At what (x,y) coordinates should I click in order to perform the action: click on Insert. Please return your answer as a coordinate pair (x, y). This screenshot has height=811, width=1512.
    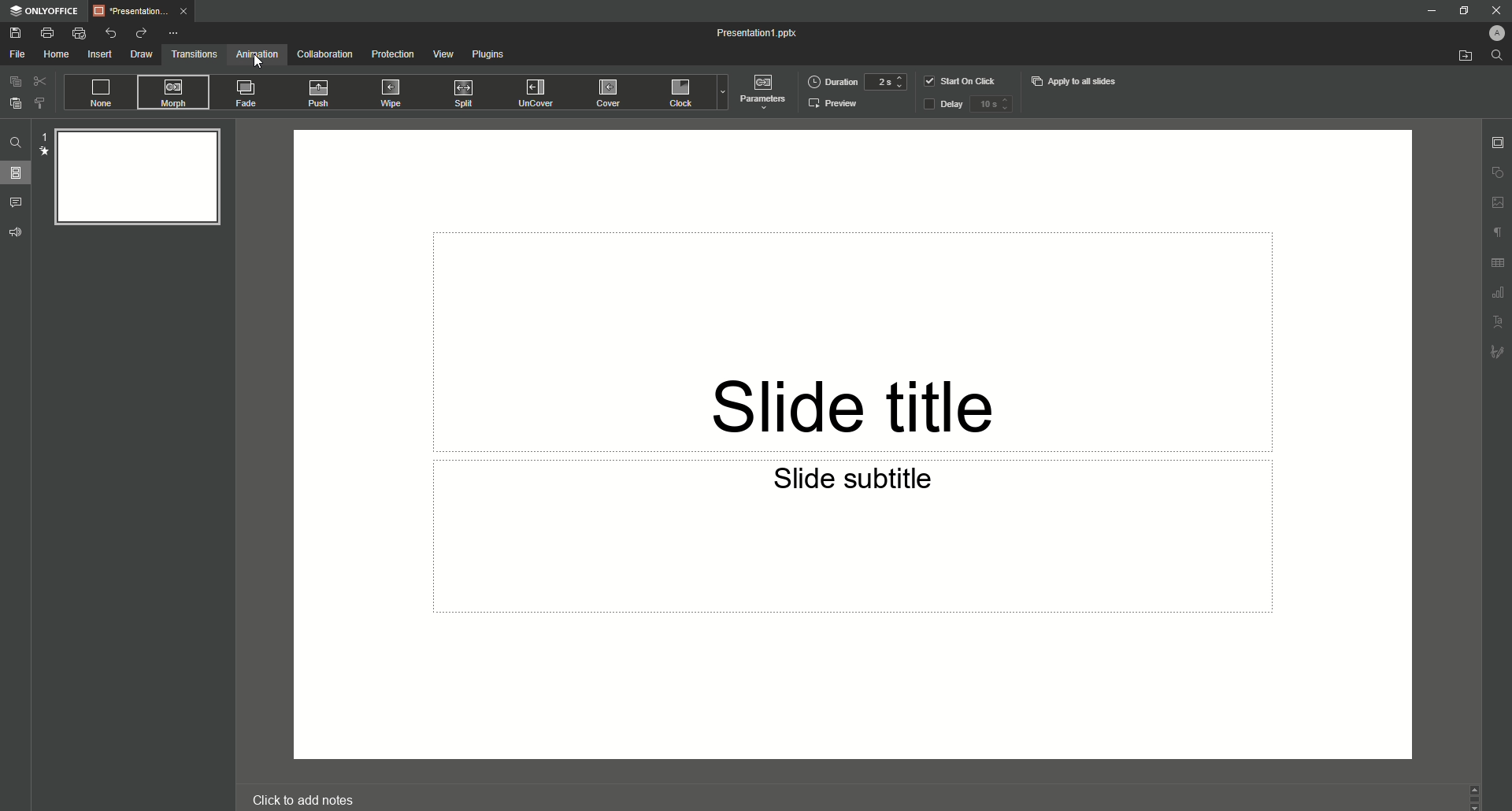
    Looking at the image, I should click on (101, 54).